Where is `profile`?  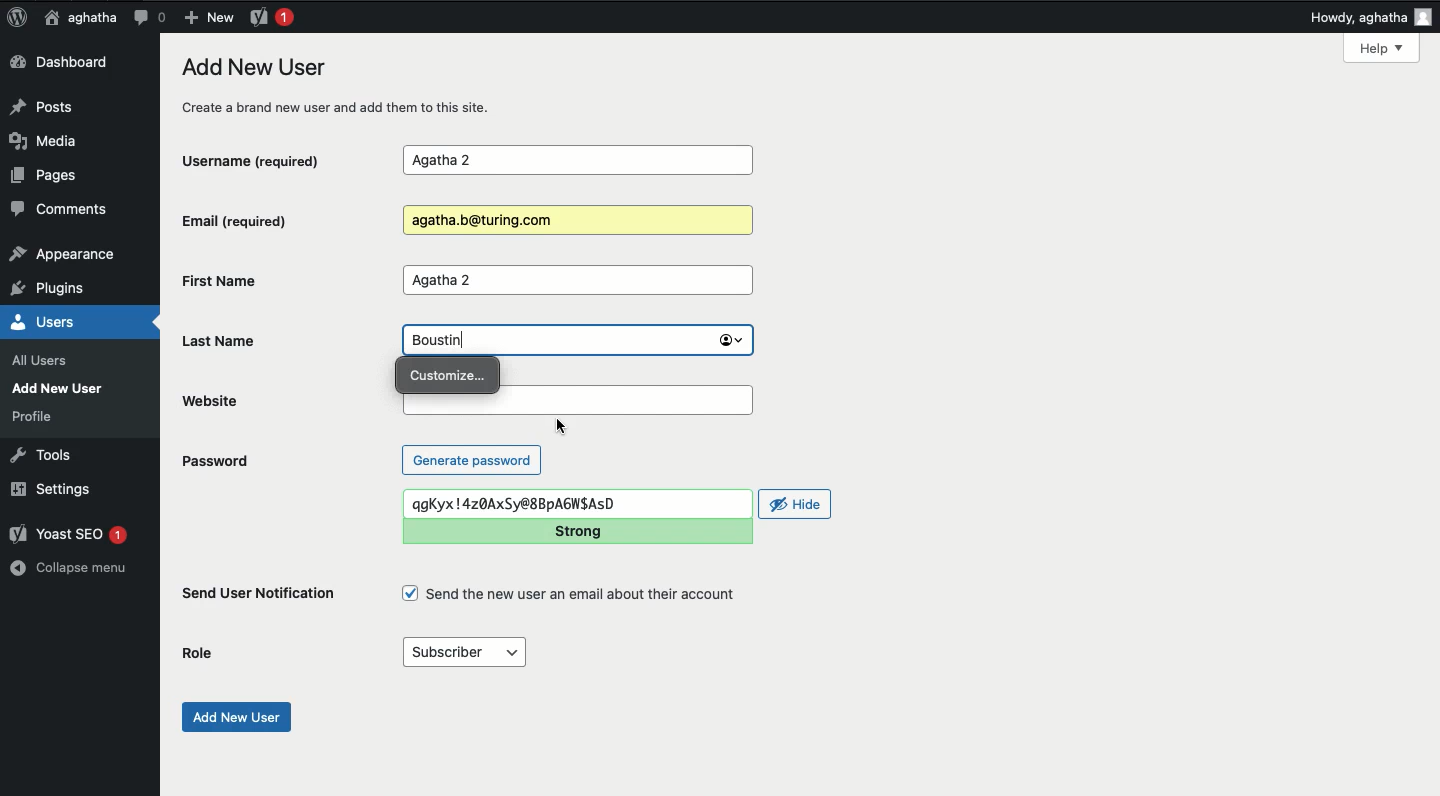
profile is located at coordinates (38, 416).